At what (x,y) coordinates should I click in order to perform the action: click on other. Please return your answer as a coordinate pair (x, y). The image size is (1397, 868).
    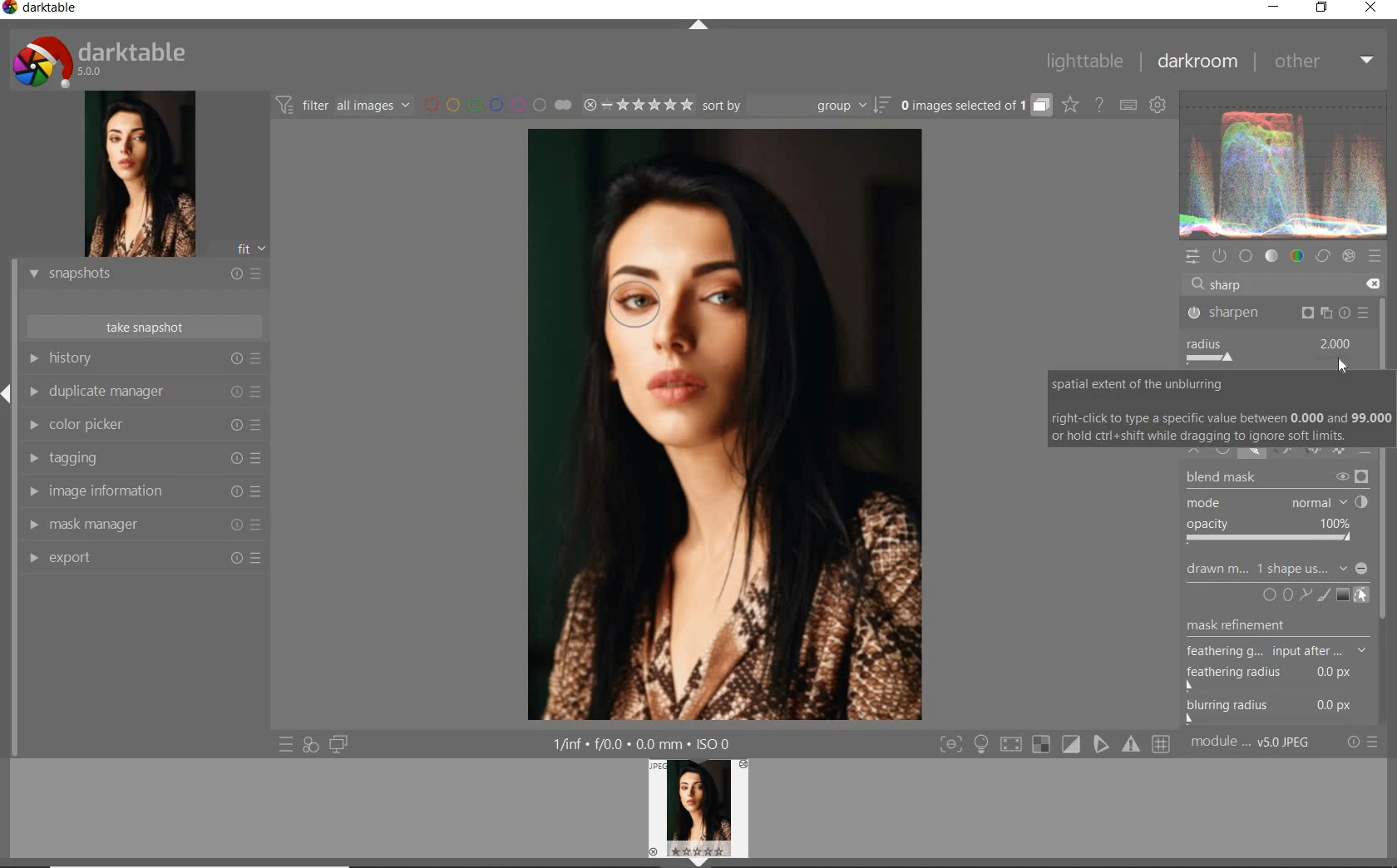
    Looking at the image, I should click on (1320, 62).